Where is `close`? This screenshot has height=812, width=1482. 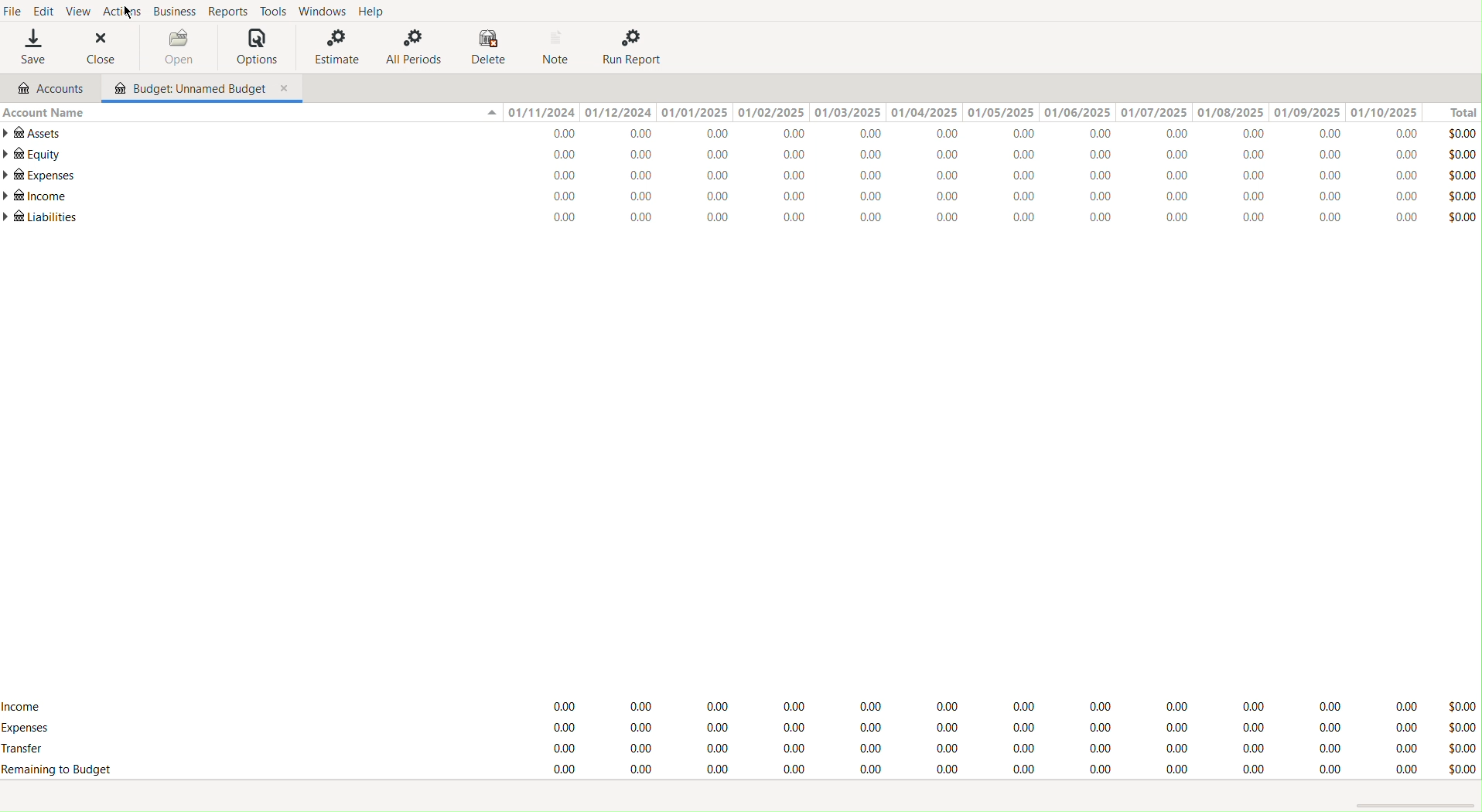
close is located at coordinates (286, 89).